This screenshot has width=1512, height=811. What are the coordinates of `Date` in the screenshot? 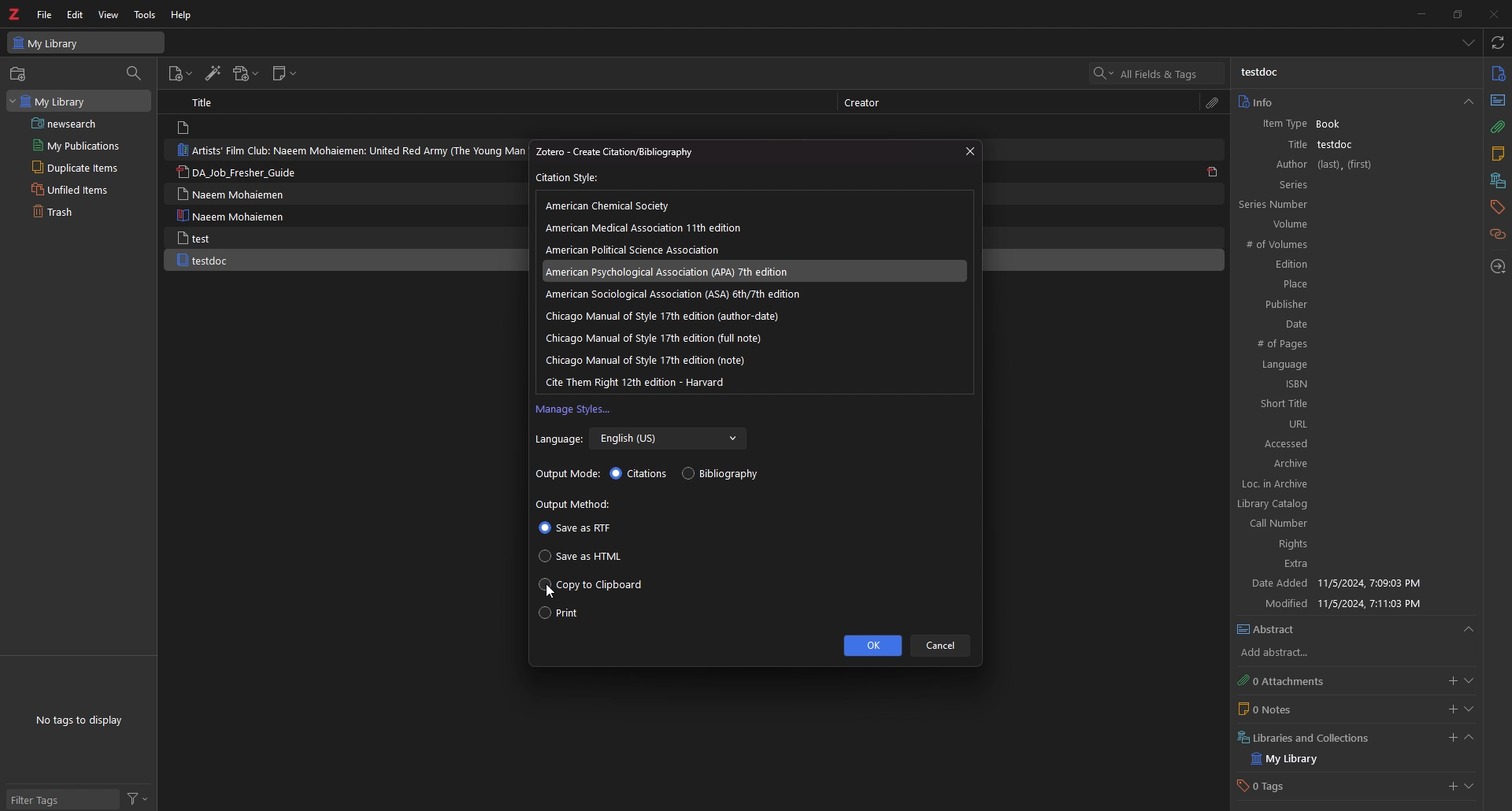 It's located at (1349, 324).